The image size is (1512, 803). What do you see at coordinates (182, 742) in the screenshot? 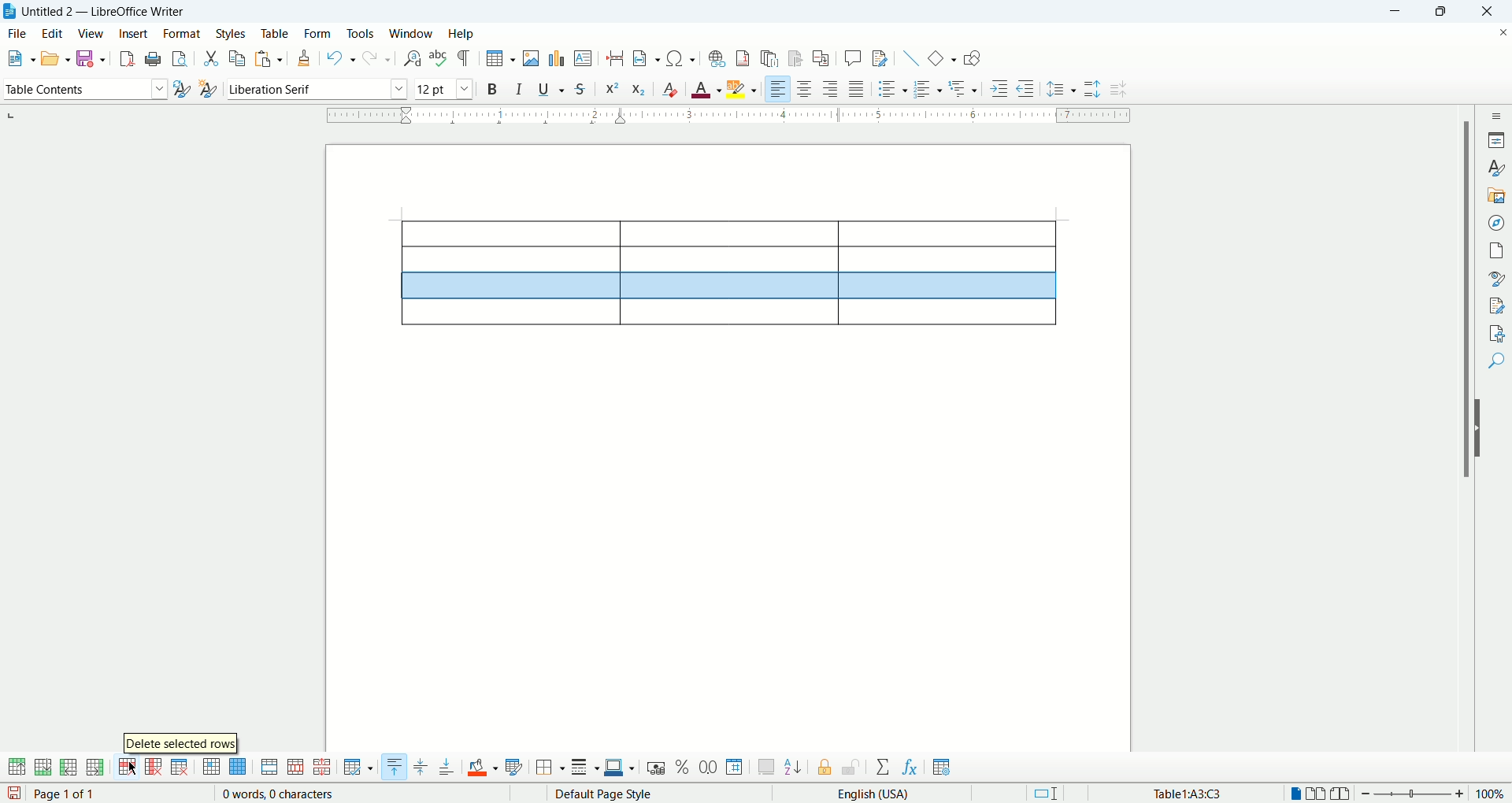
I see `delete selected rows` at bounding box center [182, 742].